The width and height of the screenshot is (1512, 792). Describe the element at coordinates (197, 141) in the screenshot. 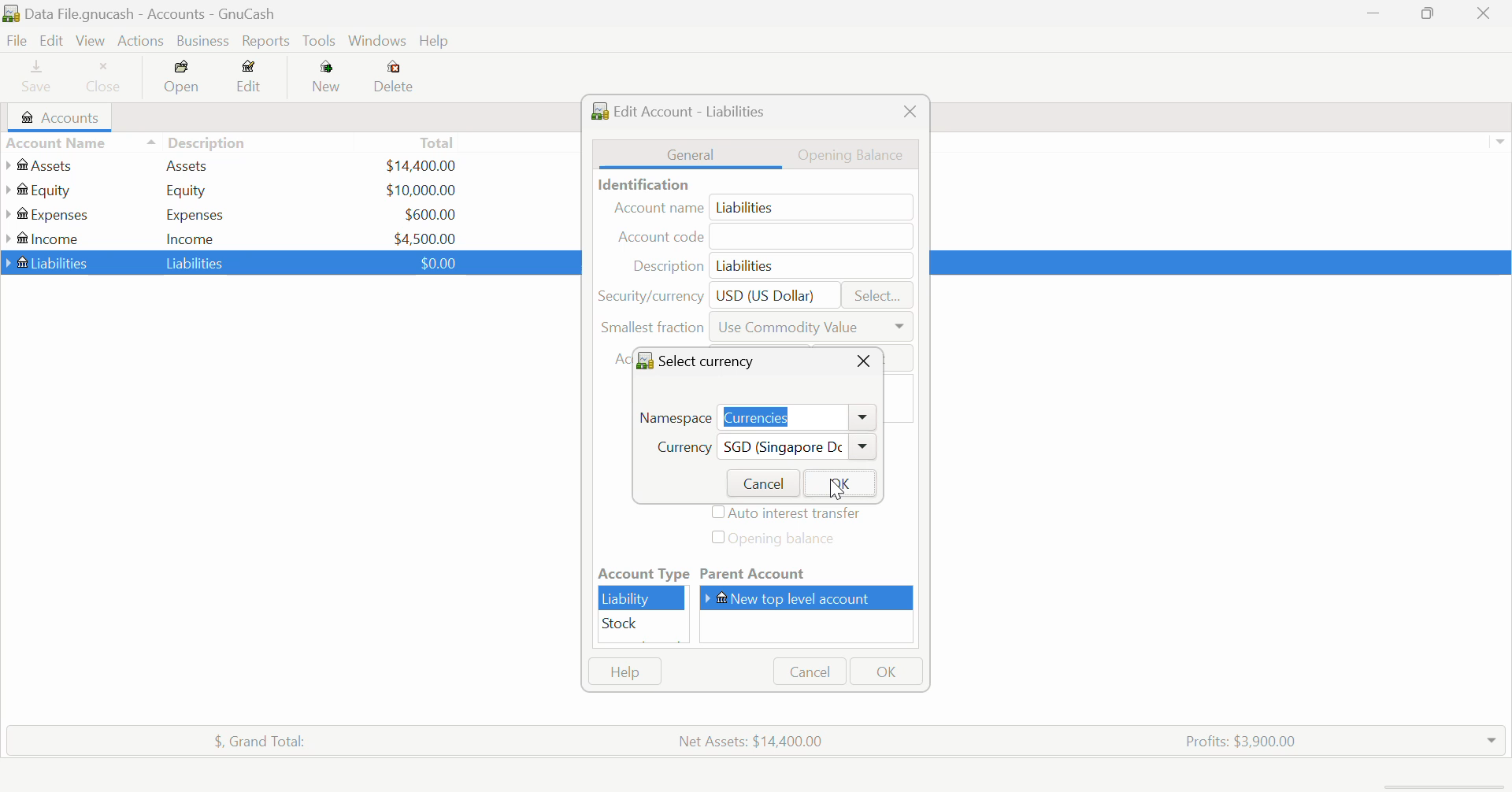

I see `Description` at that location.